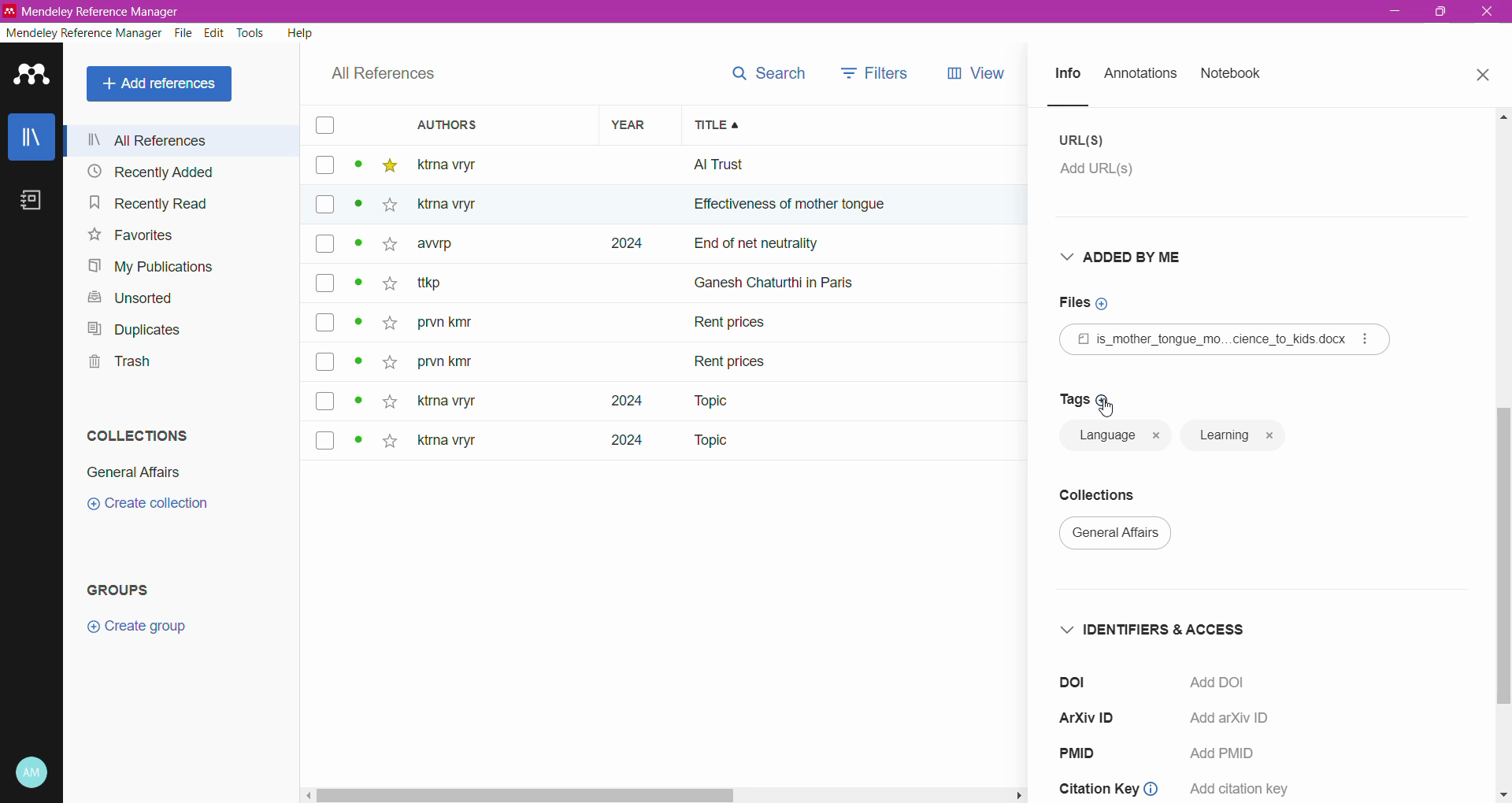 The height and width of the screenshot is (803, 1512). Describe the element at coordinates (803, 165) in the screenshot. I see `all trust` at that location.